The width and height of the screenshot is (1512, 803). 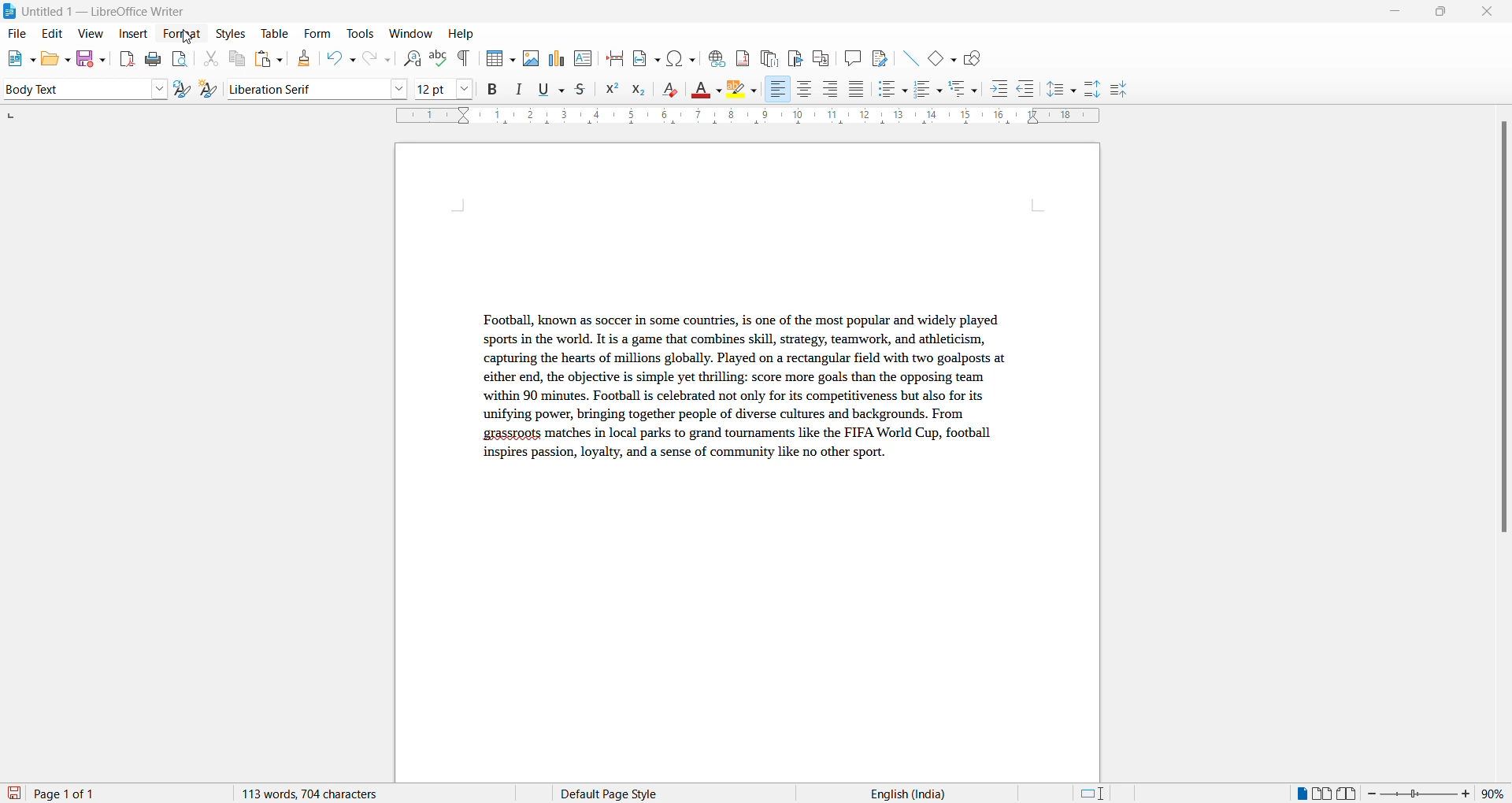 I want to click on select outline format, so click(x=969, y=88).